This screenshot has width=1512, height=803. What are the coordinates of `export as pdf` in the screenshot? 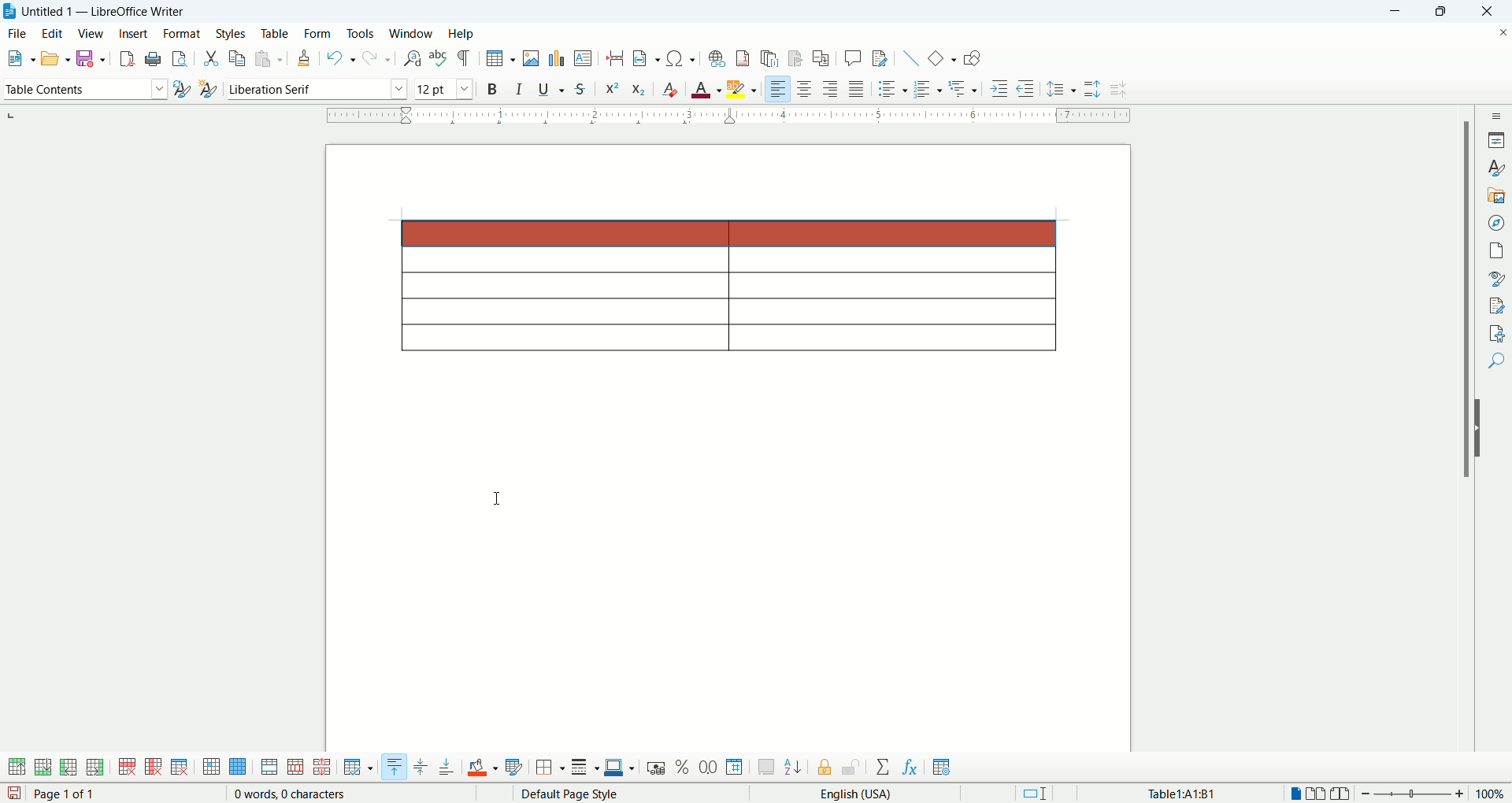 It's located at (125, 59).